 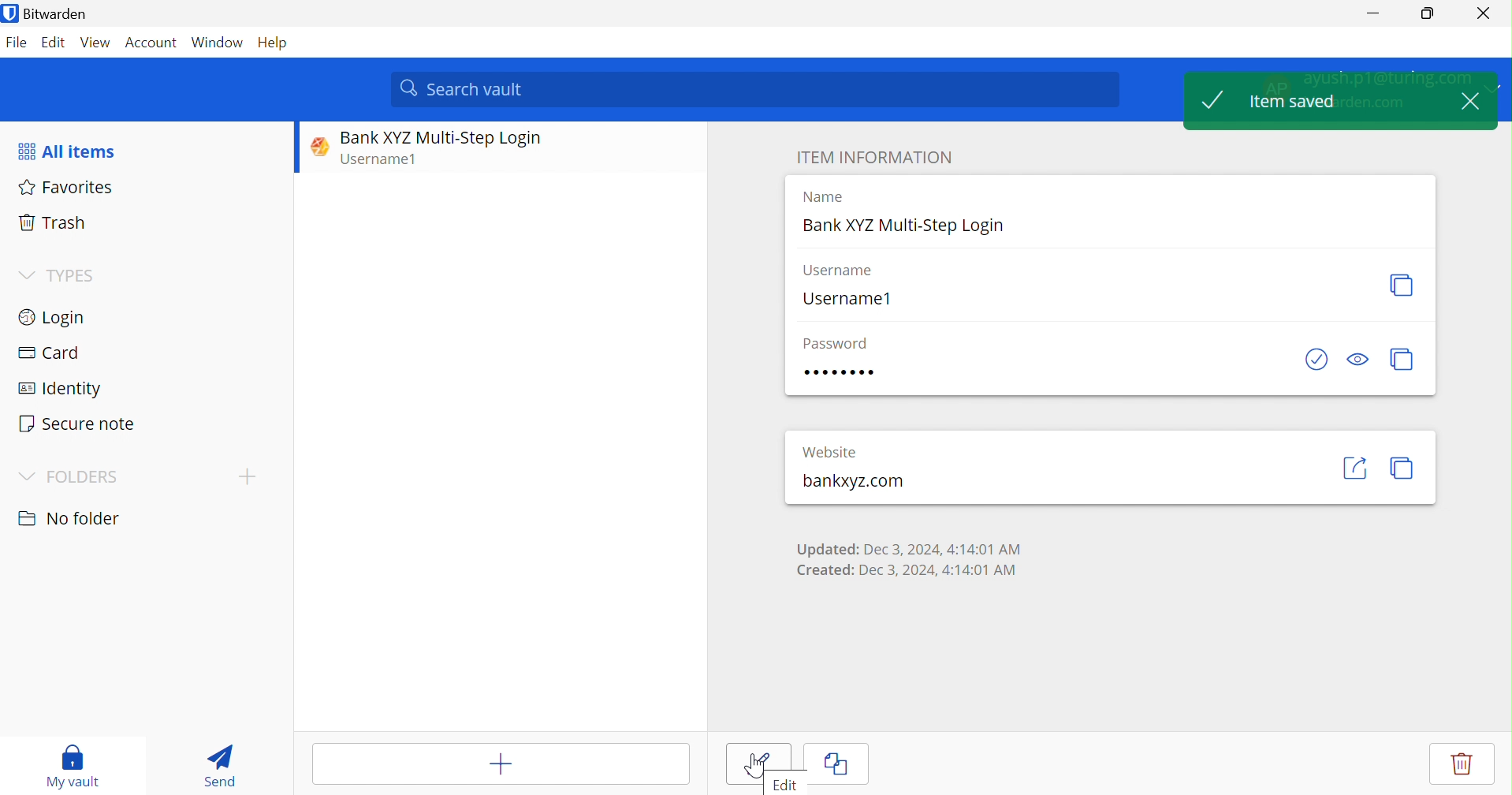 I want to click on Favorites, so click(x=69, y=188).